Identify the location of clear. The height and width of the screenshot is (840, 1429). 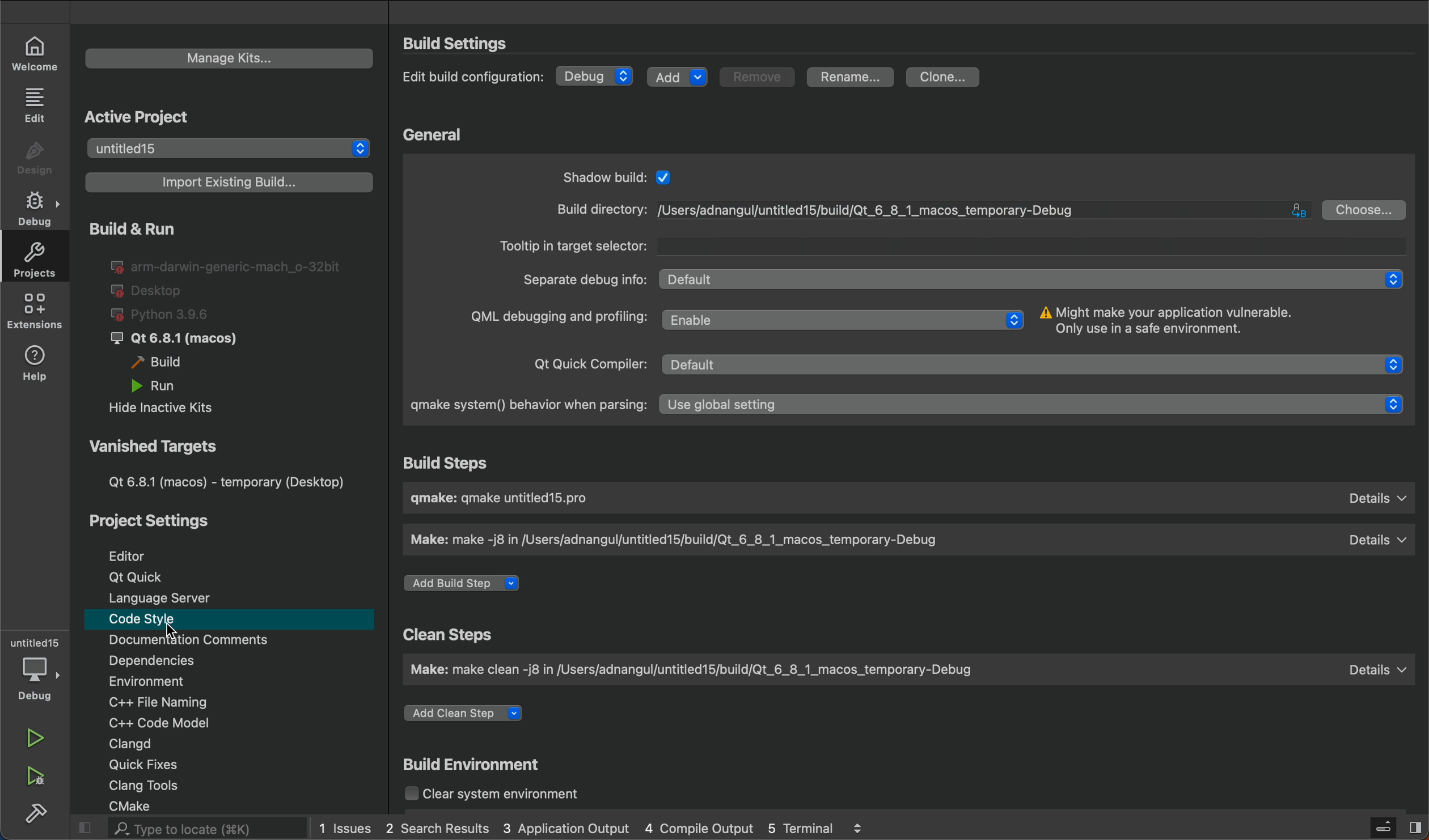
(495, 793).